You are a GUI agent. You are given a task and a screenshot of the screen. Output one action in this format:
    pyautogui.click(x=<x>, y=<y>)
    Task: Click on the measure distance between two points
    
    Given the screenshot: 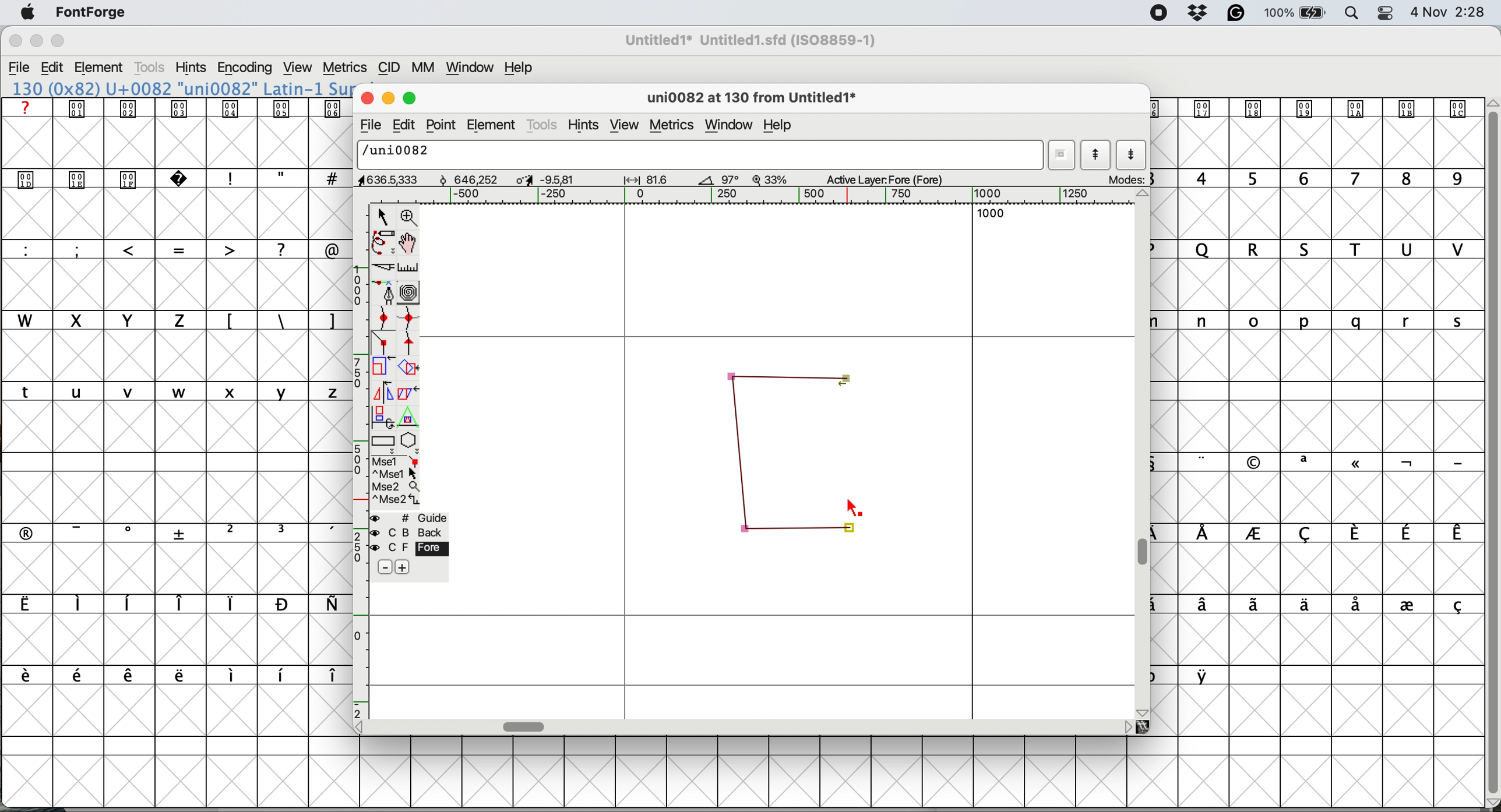 What is the action you would take?
    pyautogui.click(x=409, y=270)
    